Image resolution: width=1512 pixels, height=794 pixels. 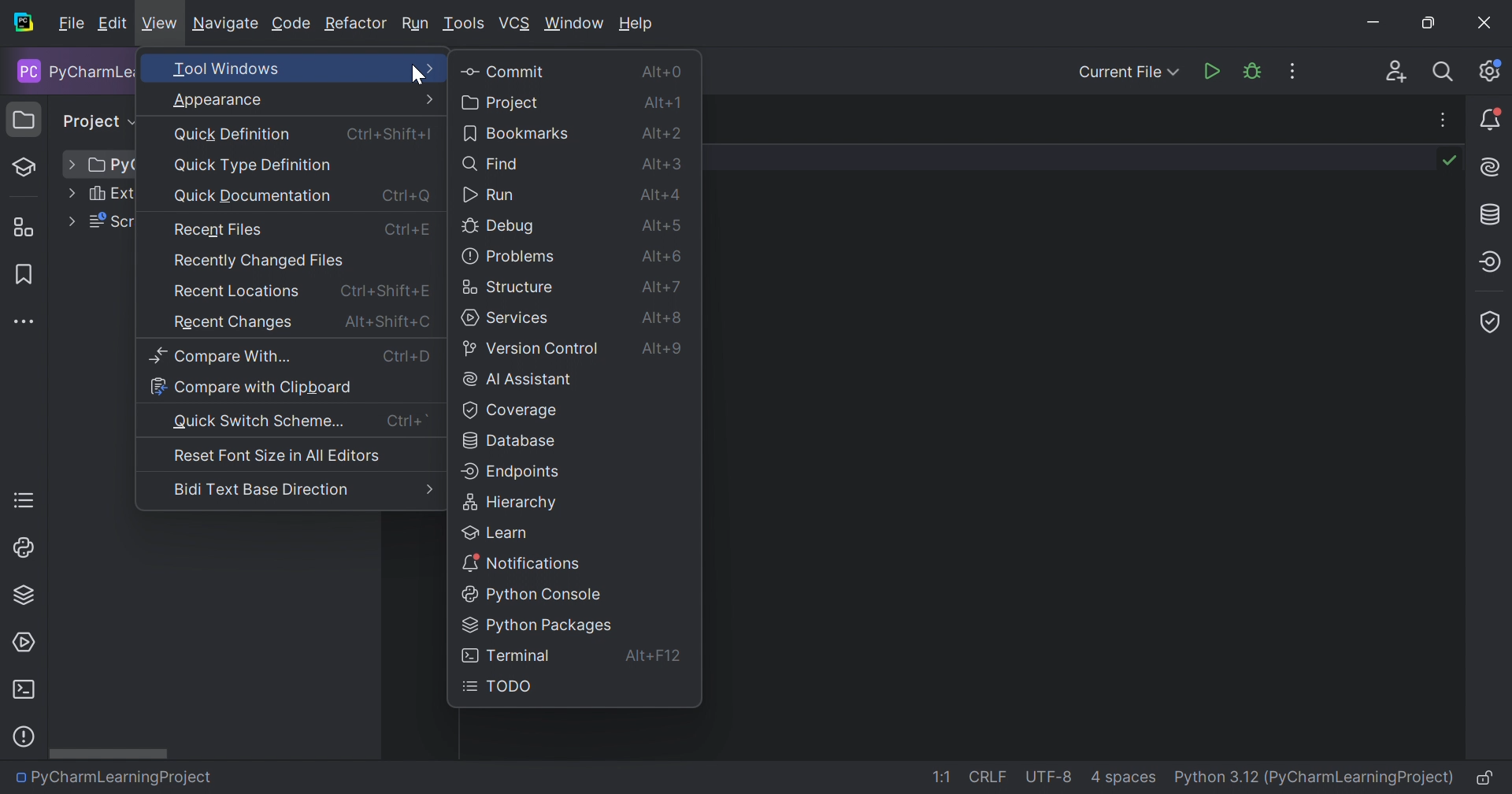 I want to click on Tools, so click(x=464, y=25).